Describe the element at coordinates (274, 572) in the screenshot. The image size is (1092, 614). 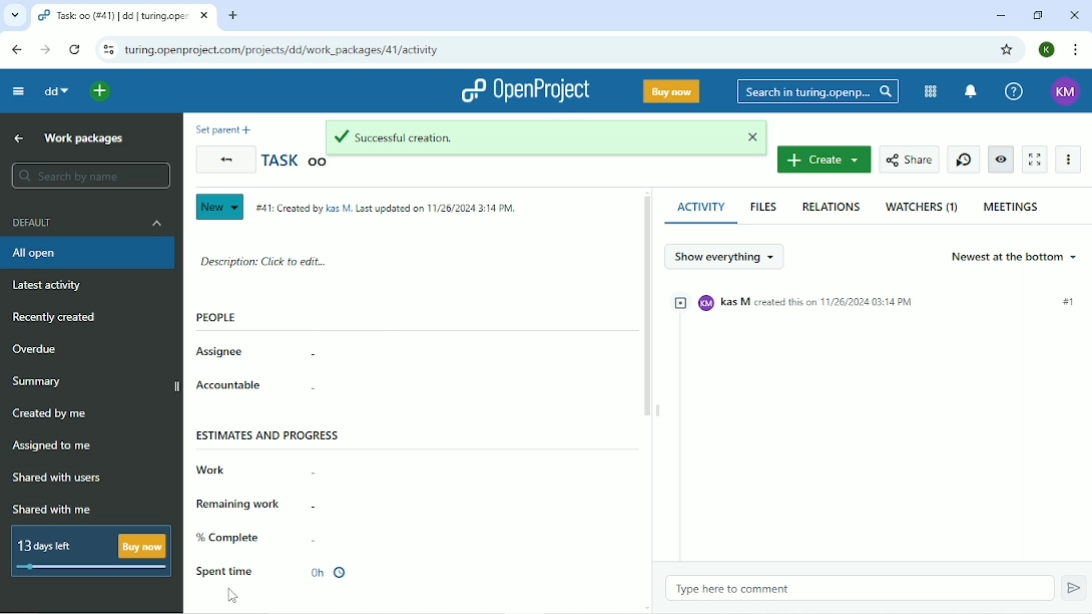
I see `Spent time` at that location.